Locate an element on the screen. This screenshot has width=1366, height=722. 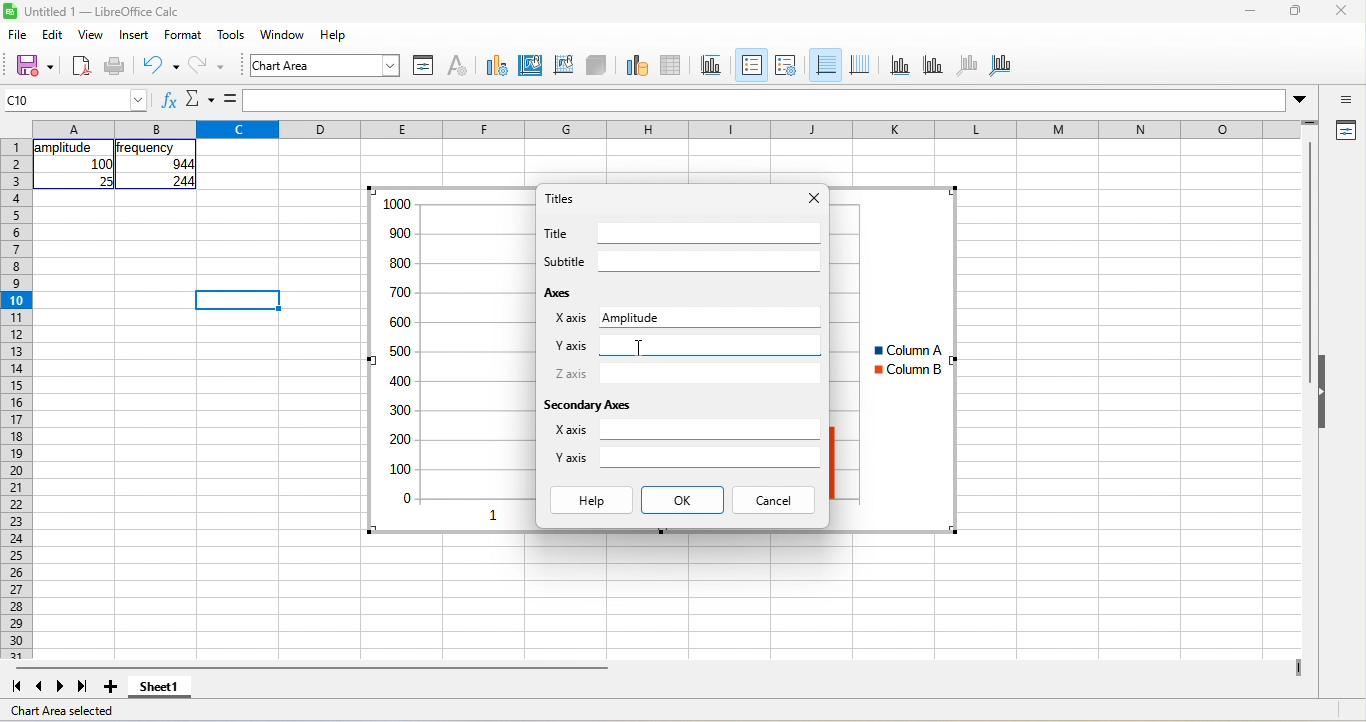
file is located at coordinates (18, 34).